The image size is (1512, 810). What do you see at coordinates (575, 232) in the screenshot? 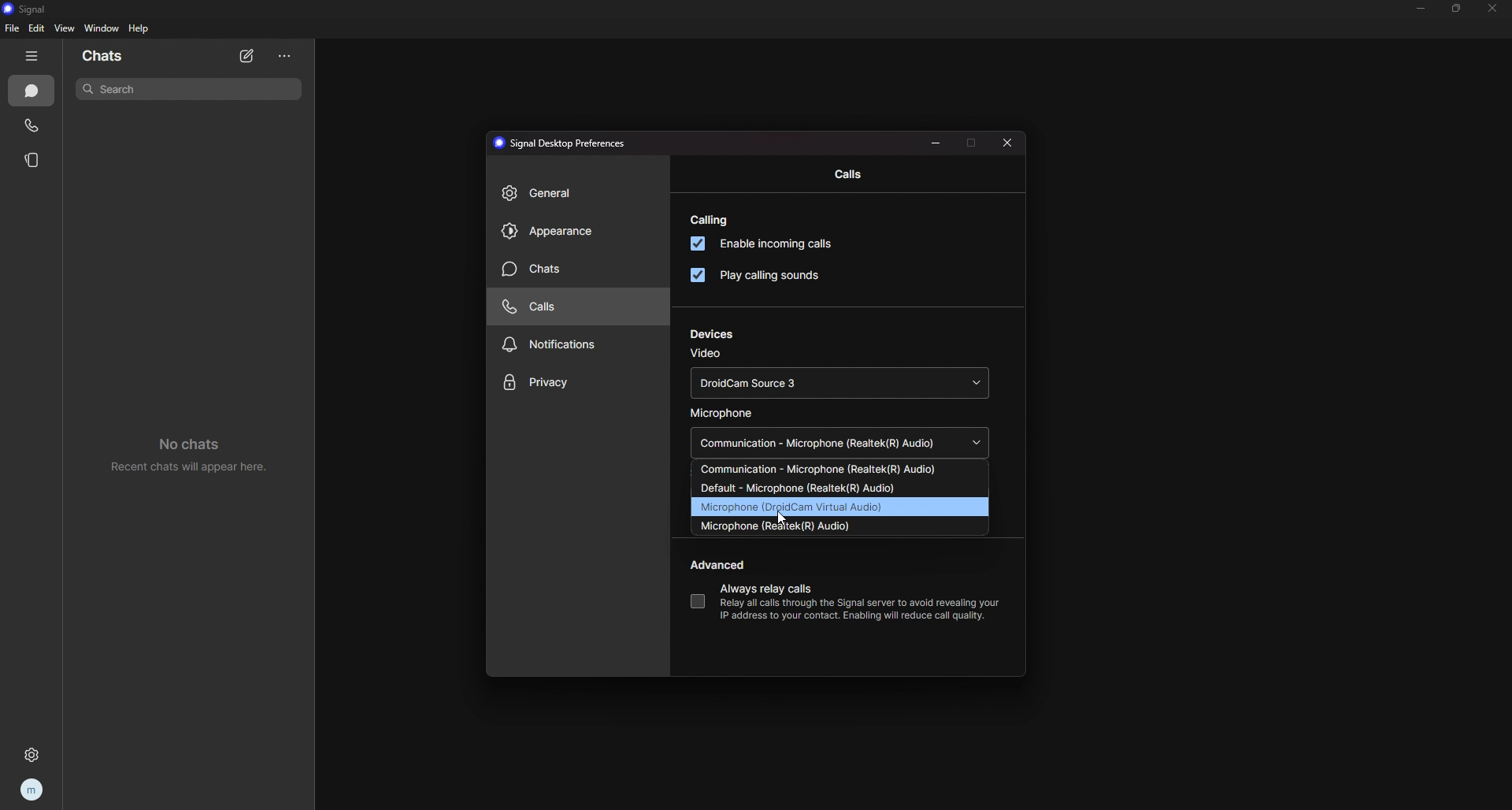
I see `appearance` at bounding box center [575, 232].